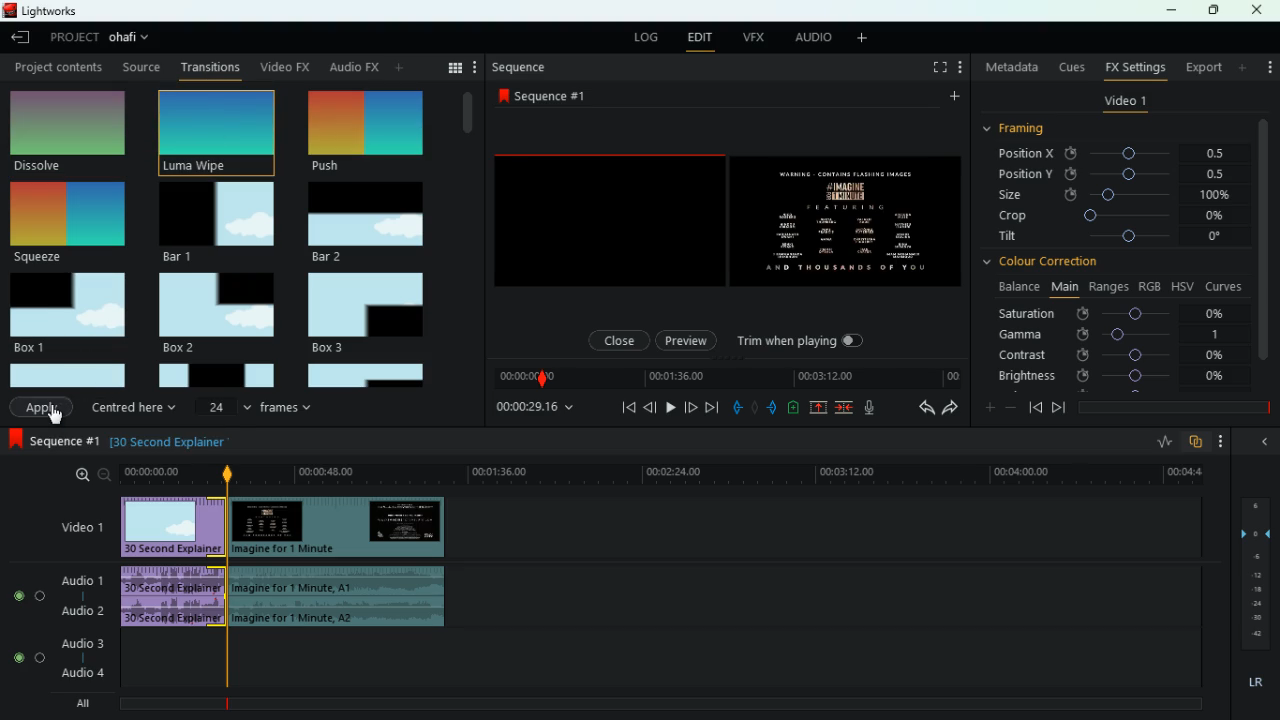 This screenshot has height=720, width=1280. I want to click on charge, so click(794, 408).